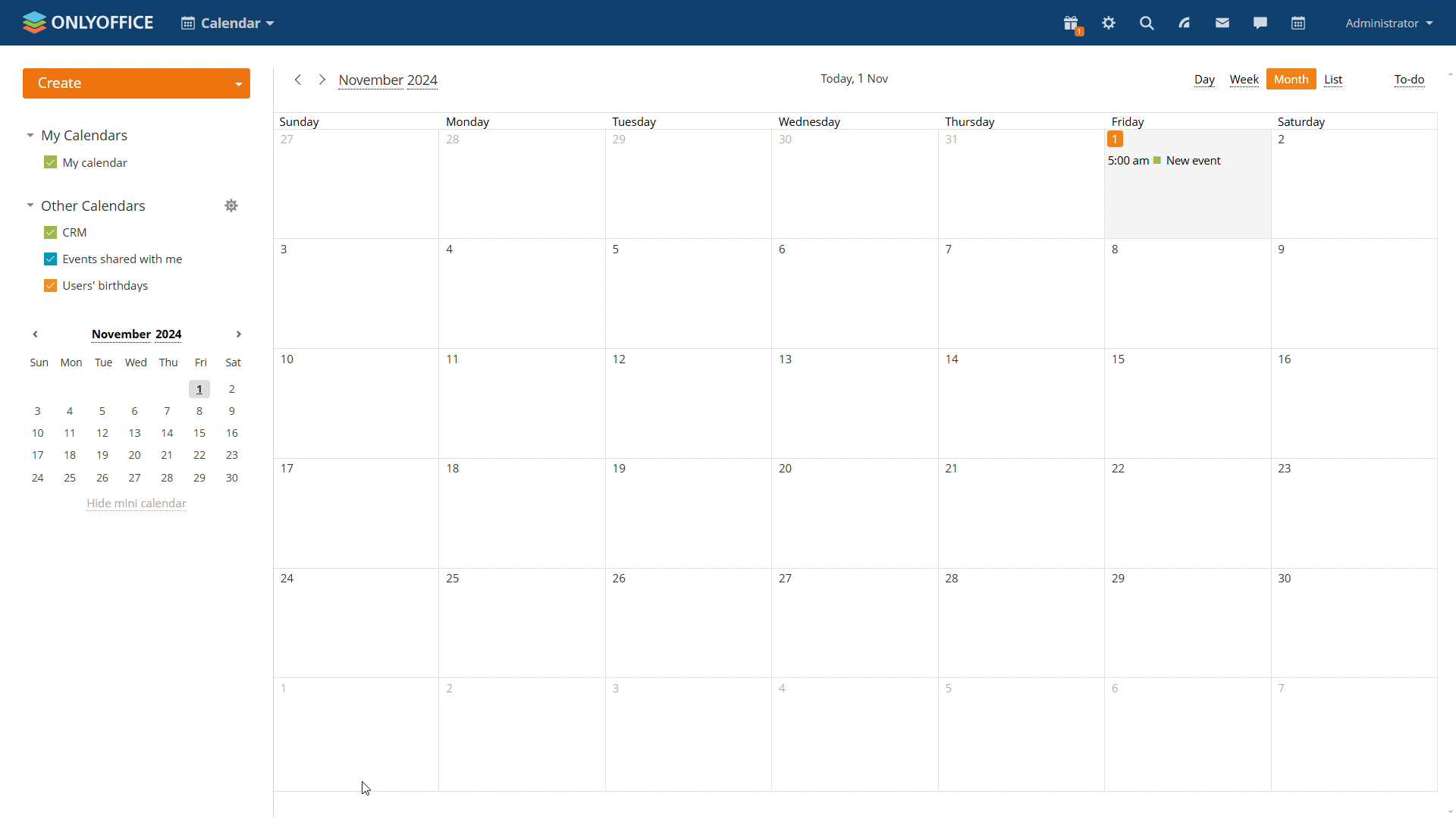 Image resolution: width=1456 pixels, height=819 pixels. What do you see at coordinates (1203, 82) in the screenshot?
I see `day view` at bounding box center [1203, 82].